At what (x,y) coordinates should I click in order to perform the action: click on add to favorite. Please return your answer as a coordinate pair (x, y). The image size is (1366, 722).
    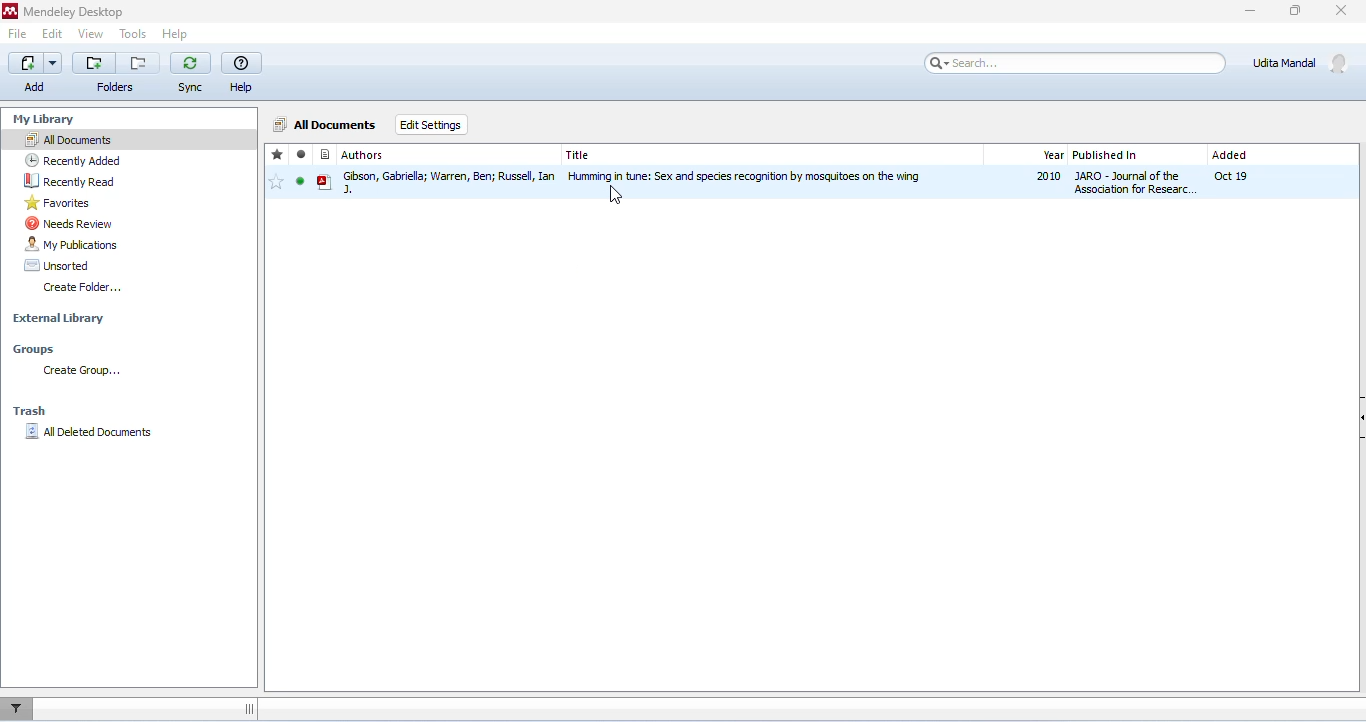
    Looking at the image, I should click on (277, 181).